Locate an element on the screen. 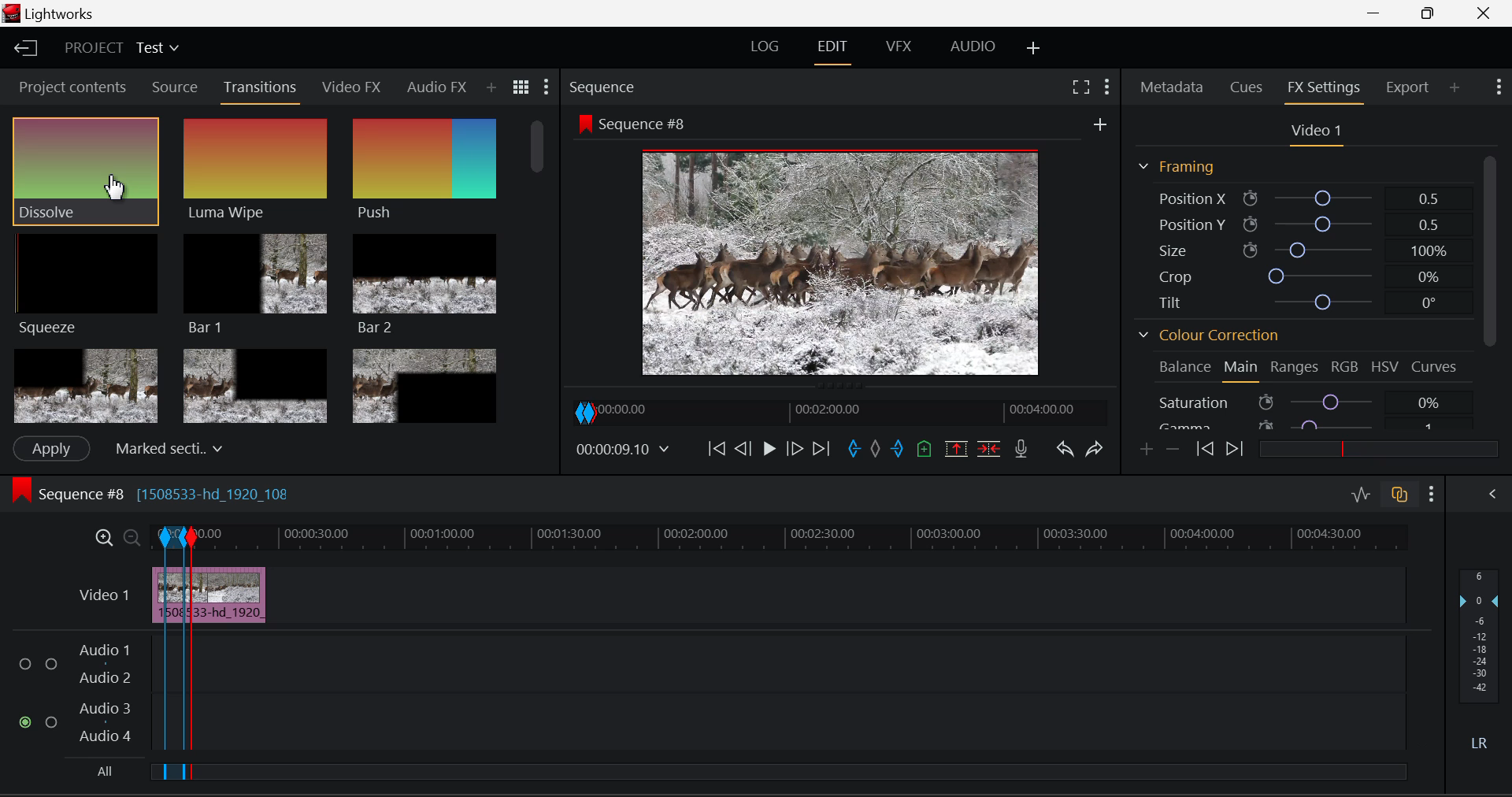 Image resolution: width=1512 pixels, height=797 pixels. Show Settings is located at coordinates (1499, 87).